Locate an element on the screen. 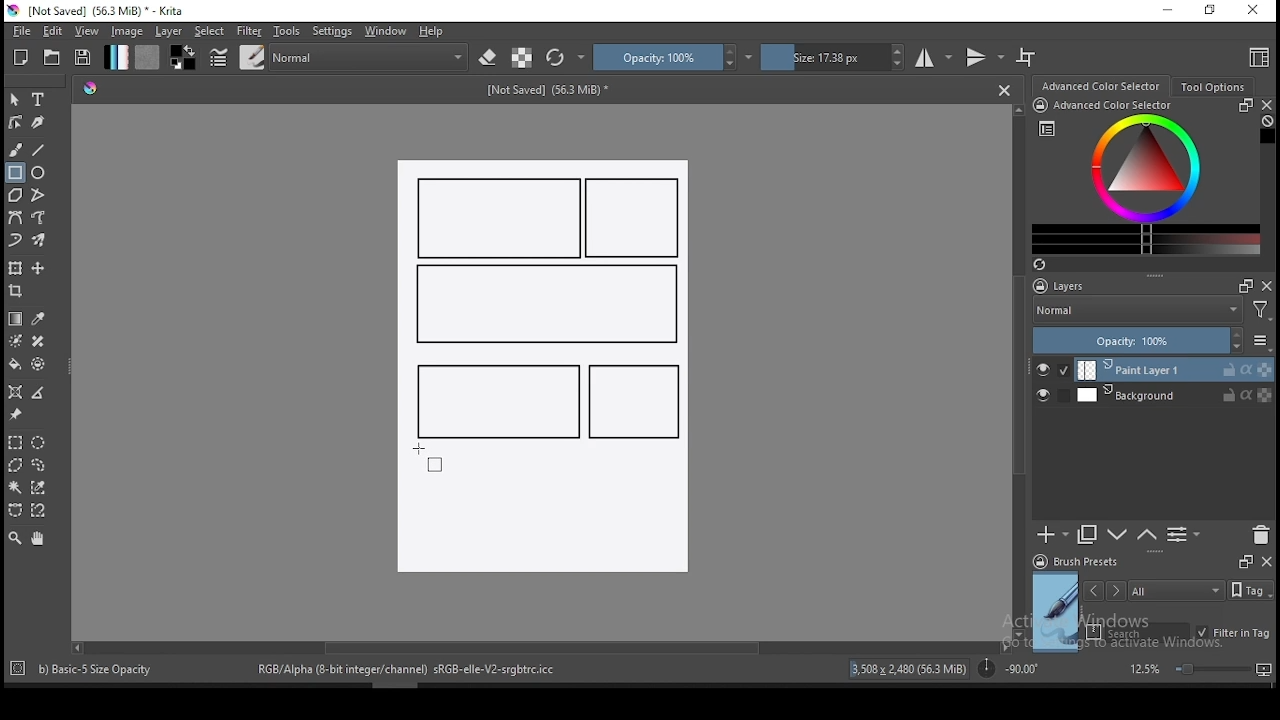 This screenshot has height=720, width=1280. polygon selection tool is located at coordinates (16, 465).